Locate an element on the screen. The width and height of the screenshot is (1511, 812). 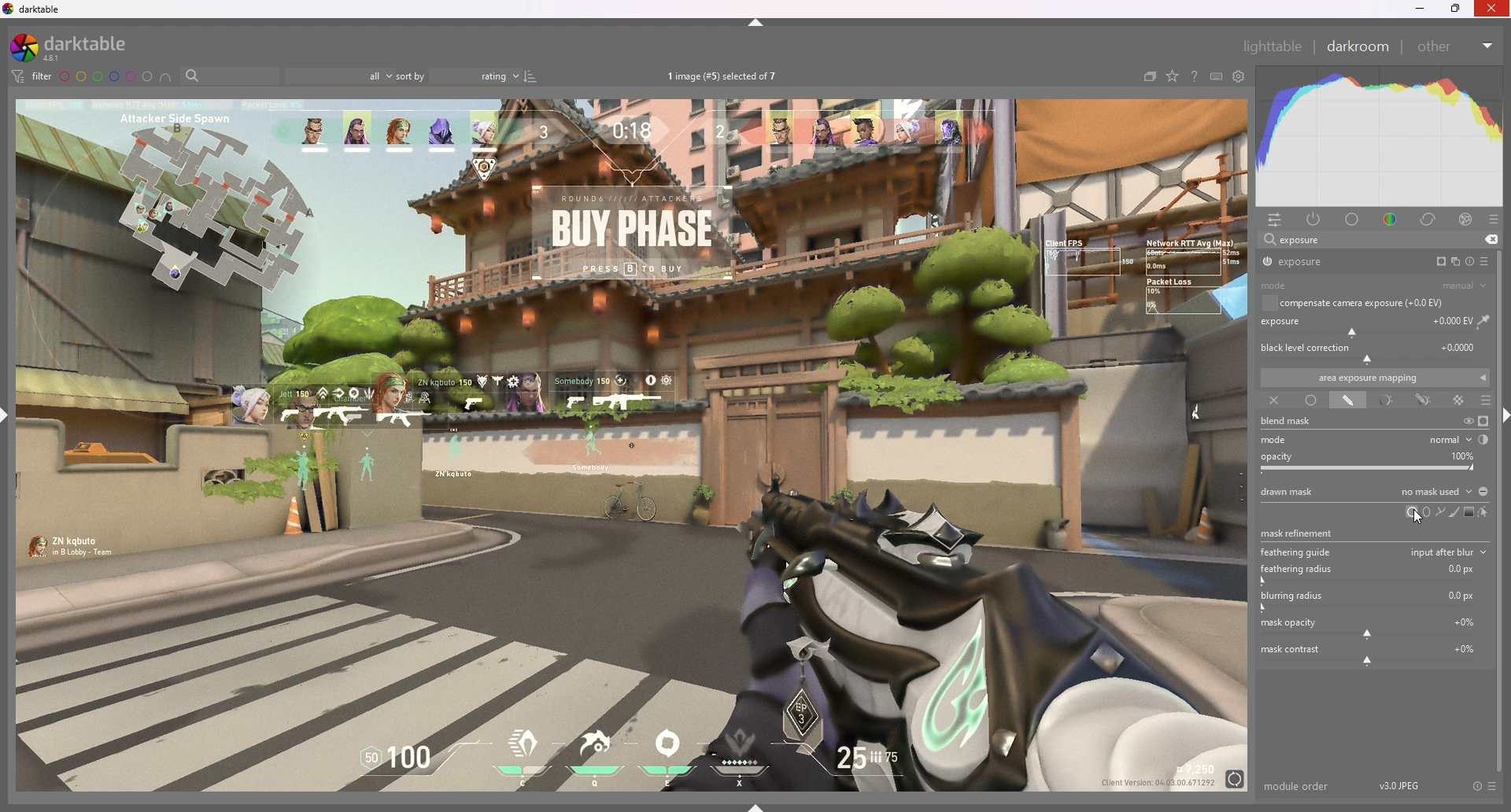
color is located at coordinates (1390, 220).